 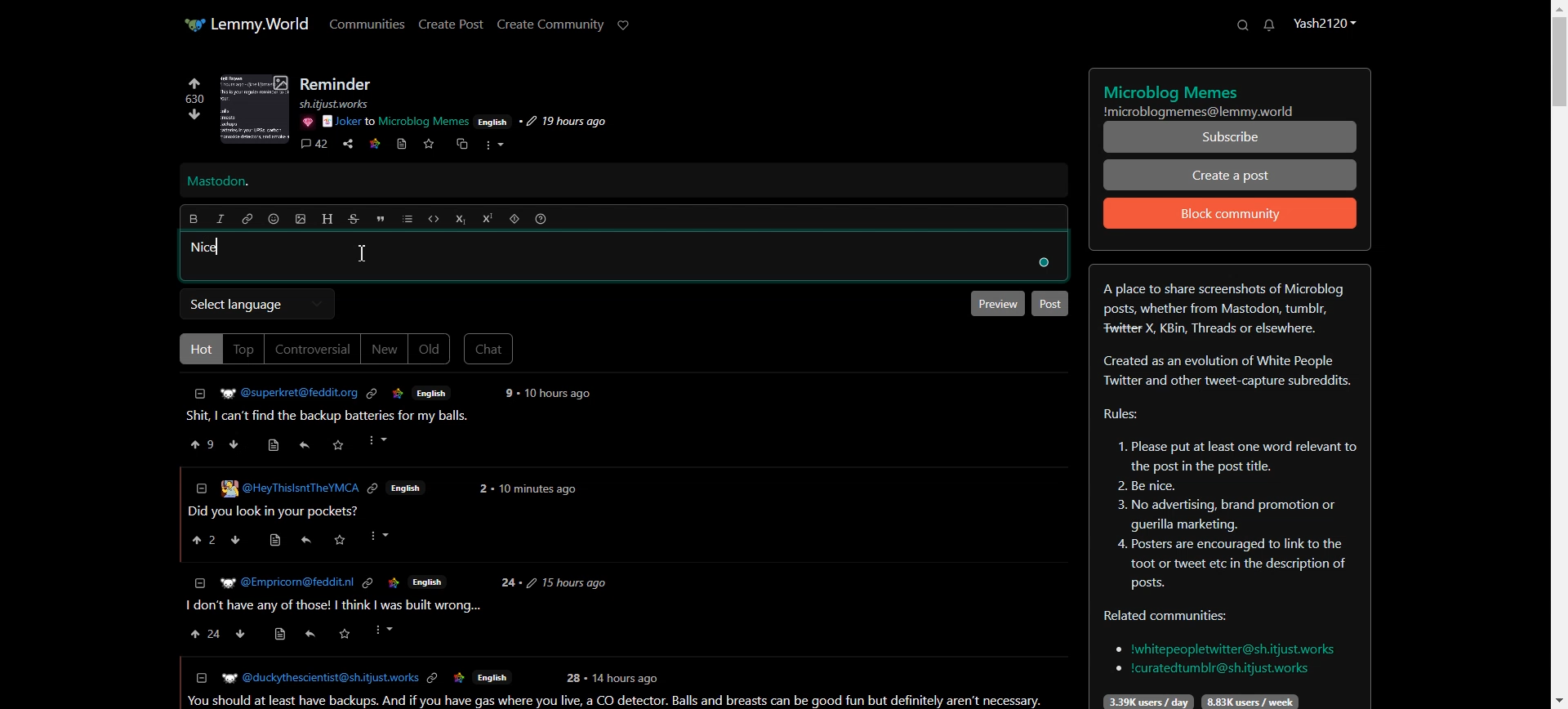 I want to click on , so click(x=345, y=634).